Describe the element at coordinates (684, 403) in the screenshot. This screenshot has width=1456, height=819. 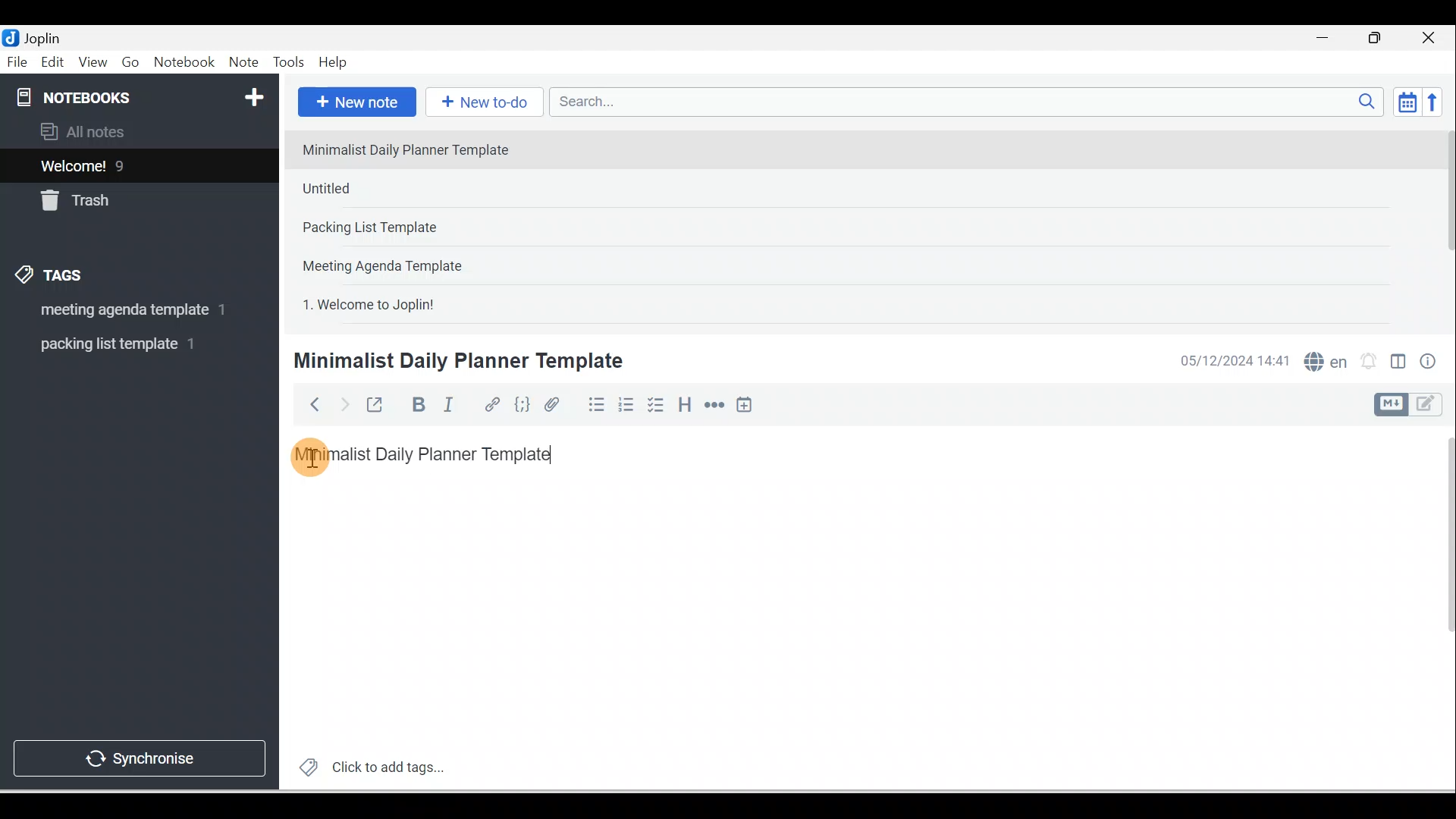
I see `Heading` at that location.